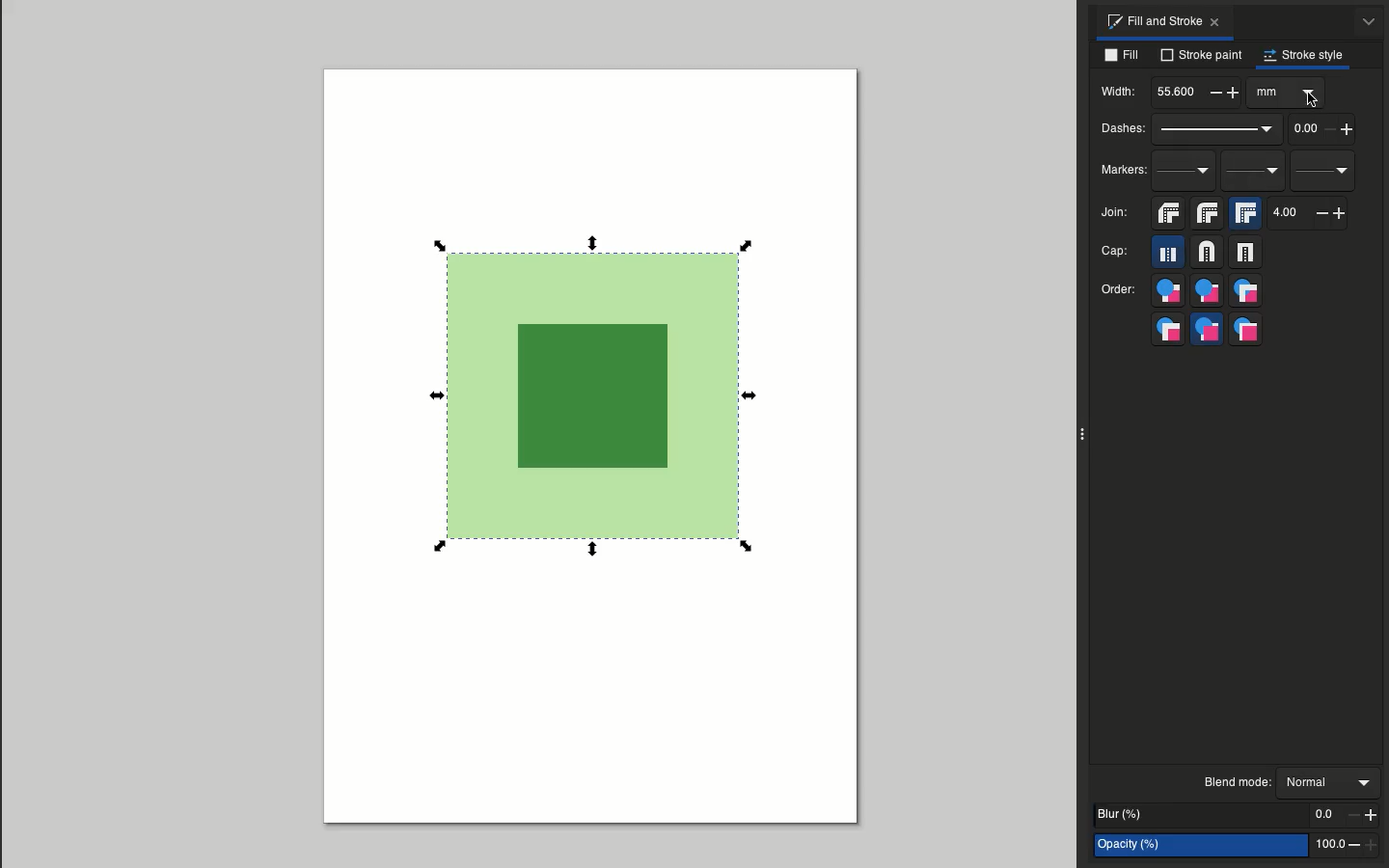 This screenshot has width=1389, height=868. Describe the element at coordinates (1077, 434) in the screenshot. I see `Collapse` at that location.